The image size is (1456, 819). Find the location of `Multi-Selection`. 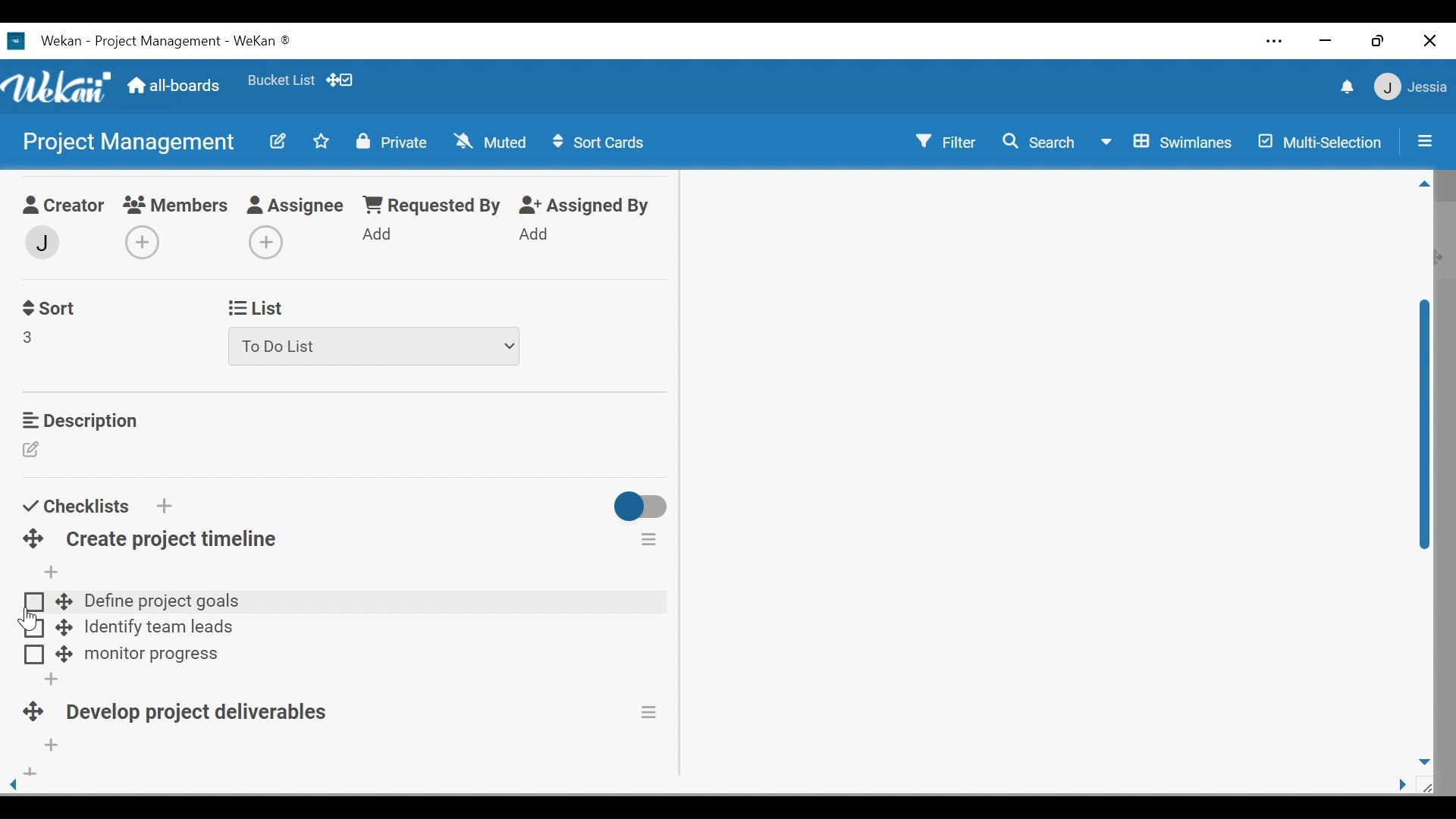

Multi-Selection is located at coordinates (1317, 142).